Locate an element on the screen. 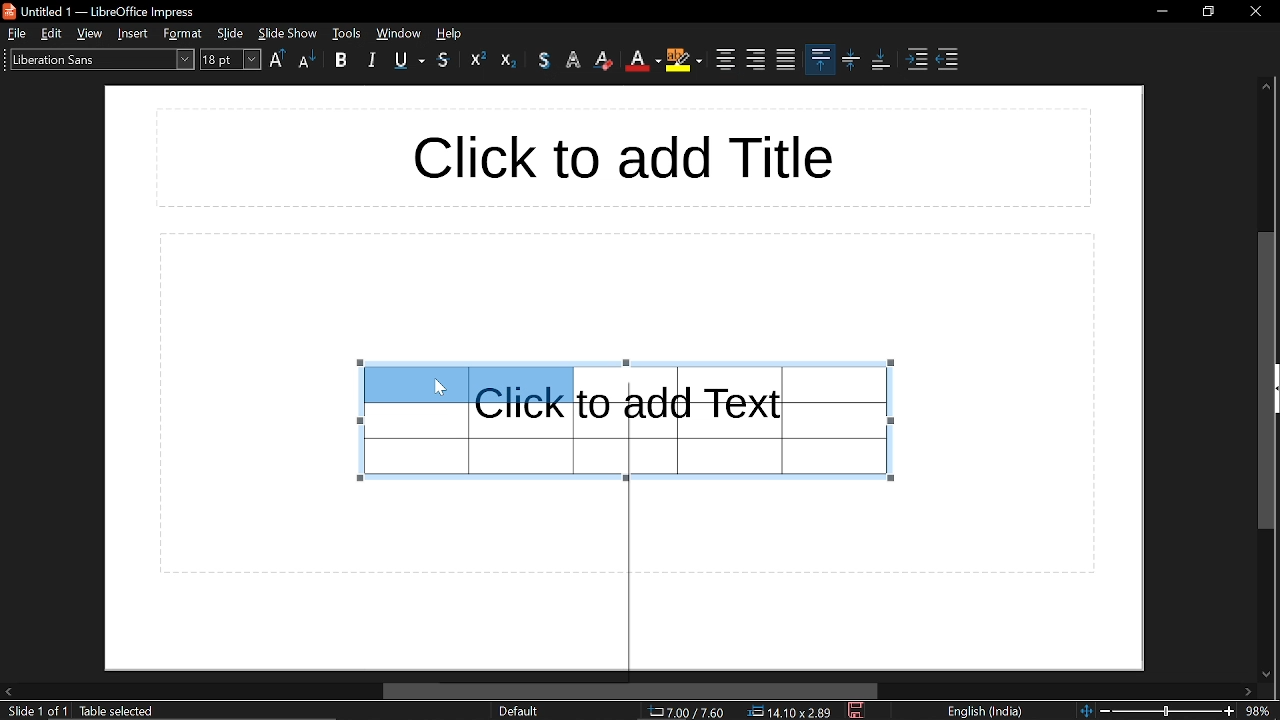 Image resolution: width=1280 pixels, height=720 pixels. align right is located at coordinates (756, 59).